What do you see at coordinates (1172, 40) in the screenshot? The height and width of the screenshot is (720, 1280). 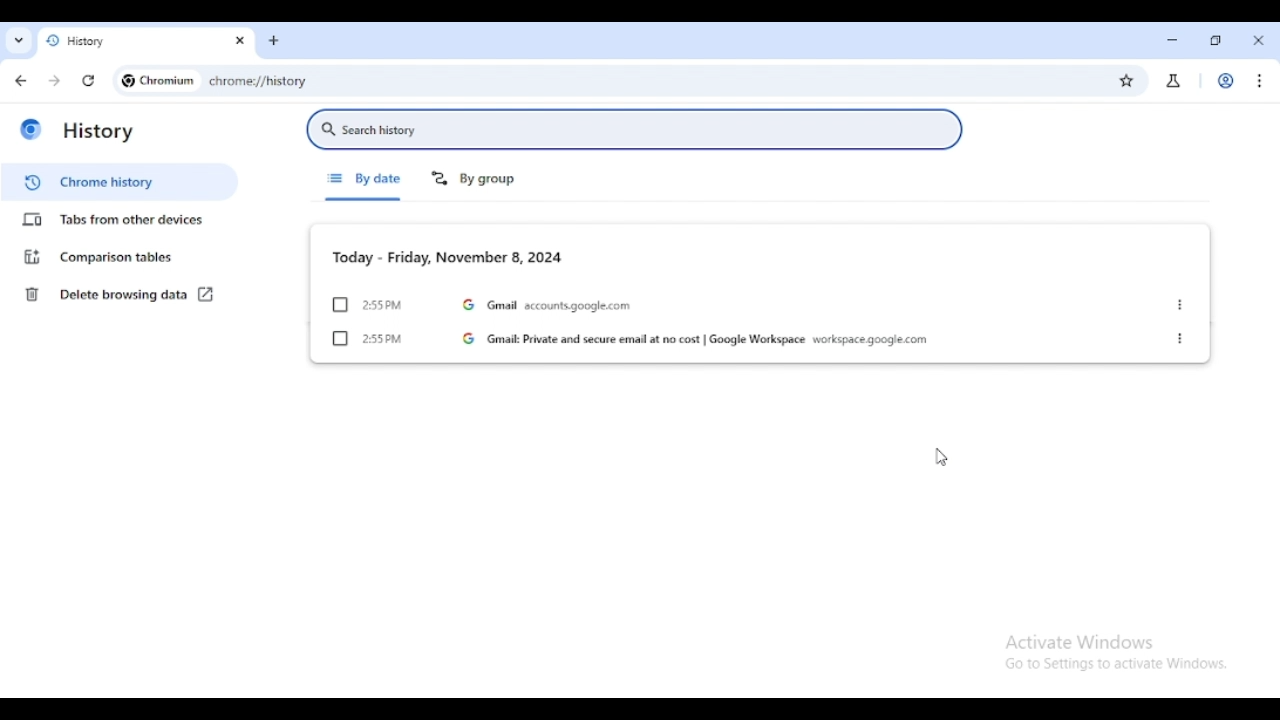 I see `minimize` at bounding box center [1172, 40].